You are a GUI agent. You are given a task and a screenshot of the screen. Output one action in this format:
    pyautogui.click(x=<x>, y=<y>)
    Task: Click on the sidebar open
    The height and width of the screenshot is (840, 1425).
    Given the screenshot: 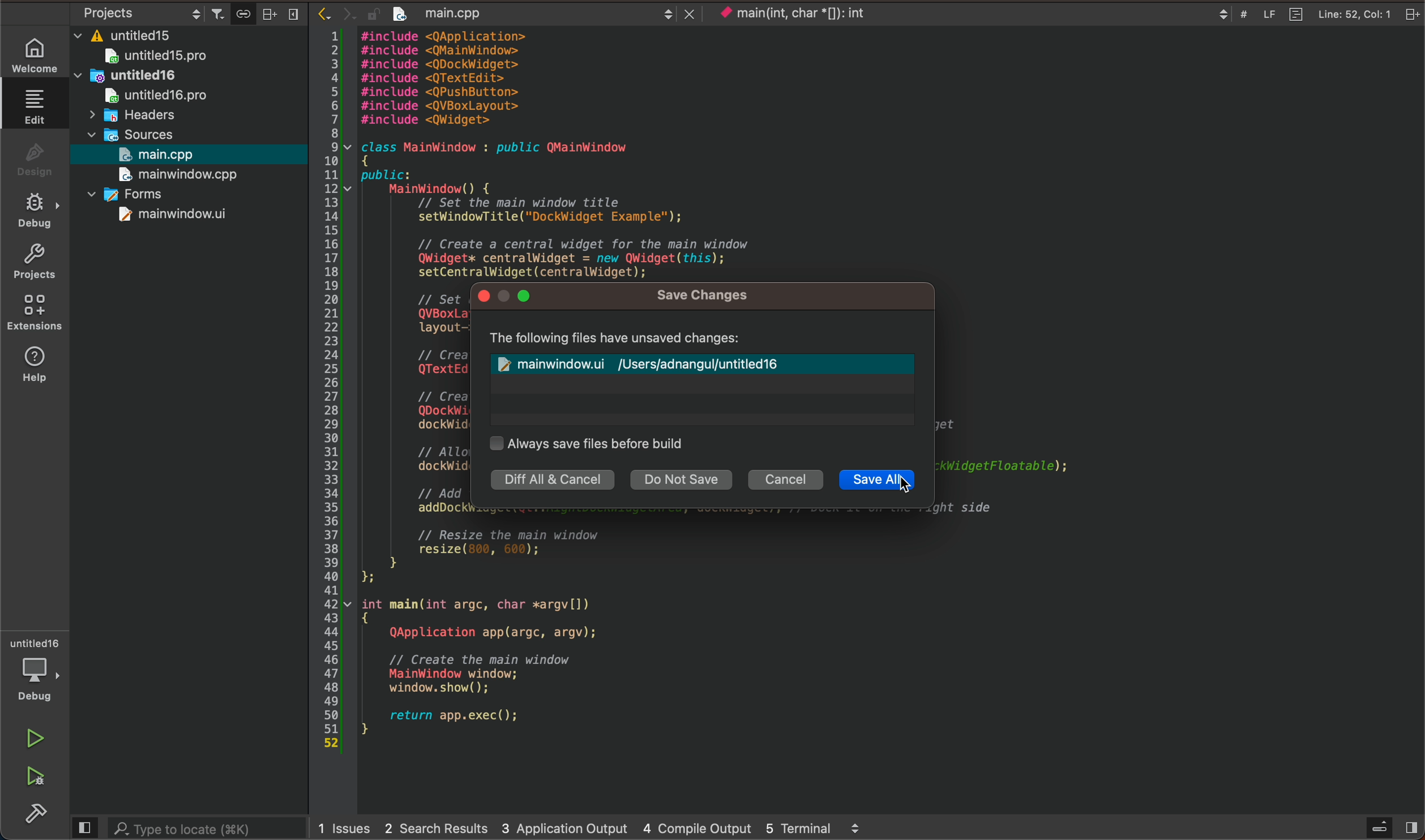 What is the action you would take?
    pyautogui.click(x=1389, y=828)
    